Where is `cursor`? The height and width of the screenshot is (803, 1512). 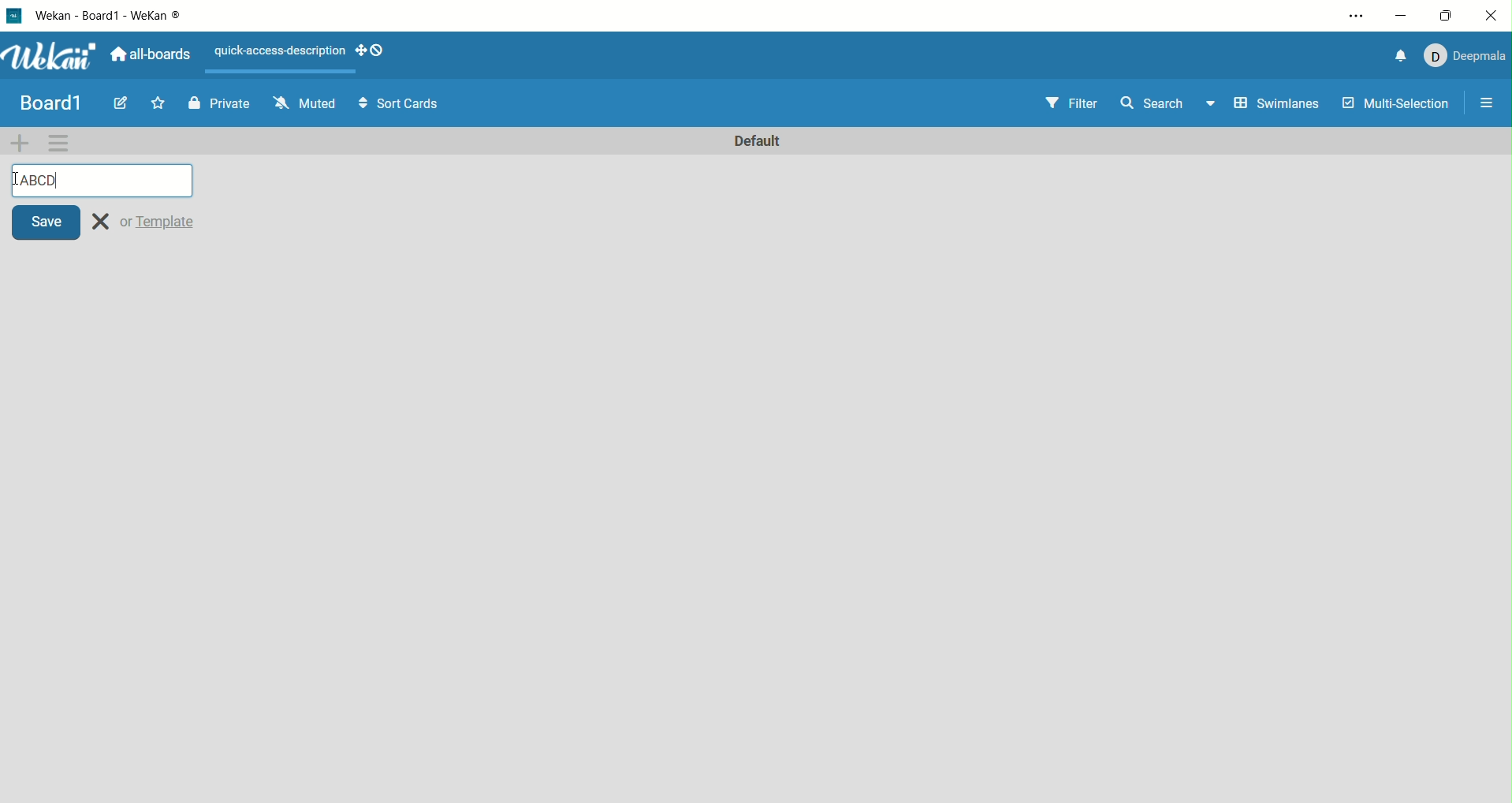
cursor is located at coordinates (16, 180).